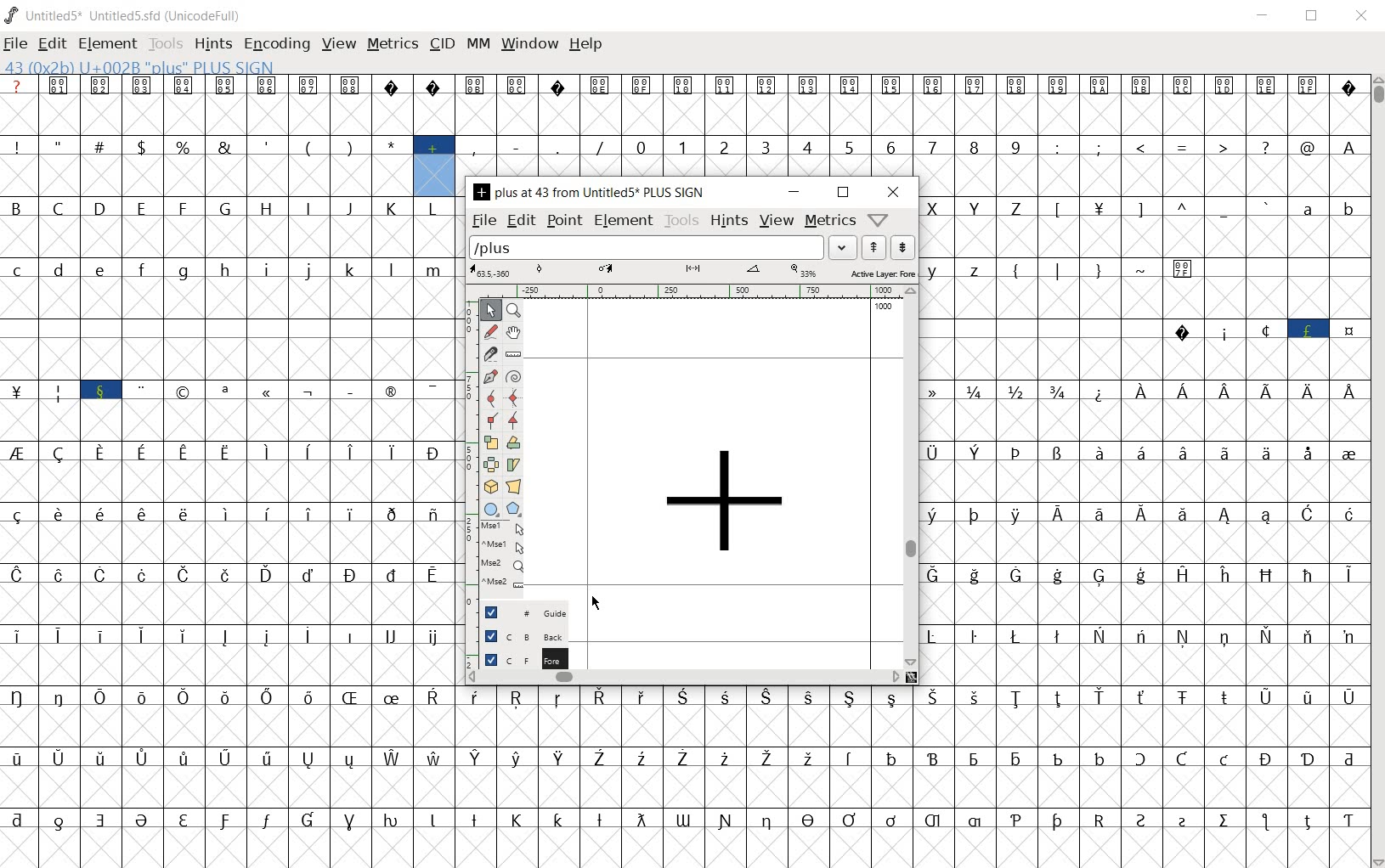  I want to click on window, so click(529, 45).